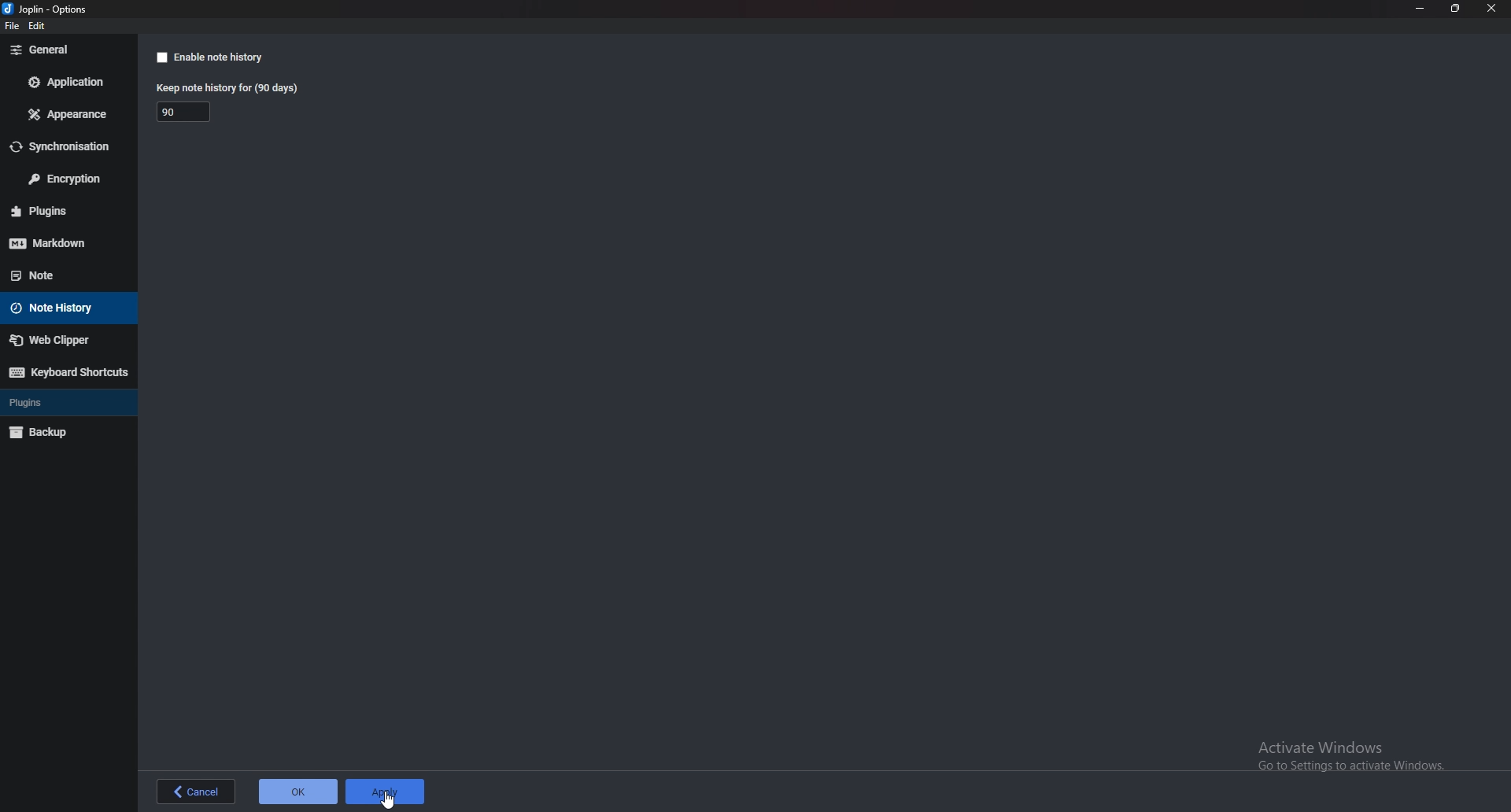 The image size is (1511, 812). What do you see at coordinates (67, 179) in the screenshot?
I see `Encryption` at bounding box center [67, 179].